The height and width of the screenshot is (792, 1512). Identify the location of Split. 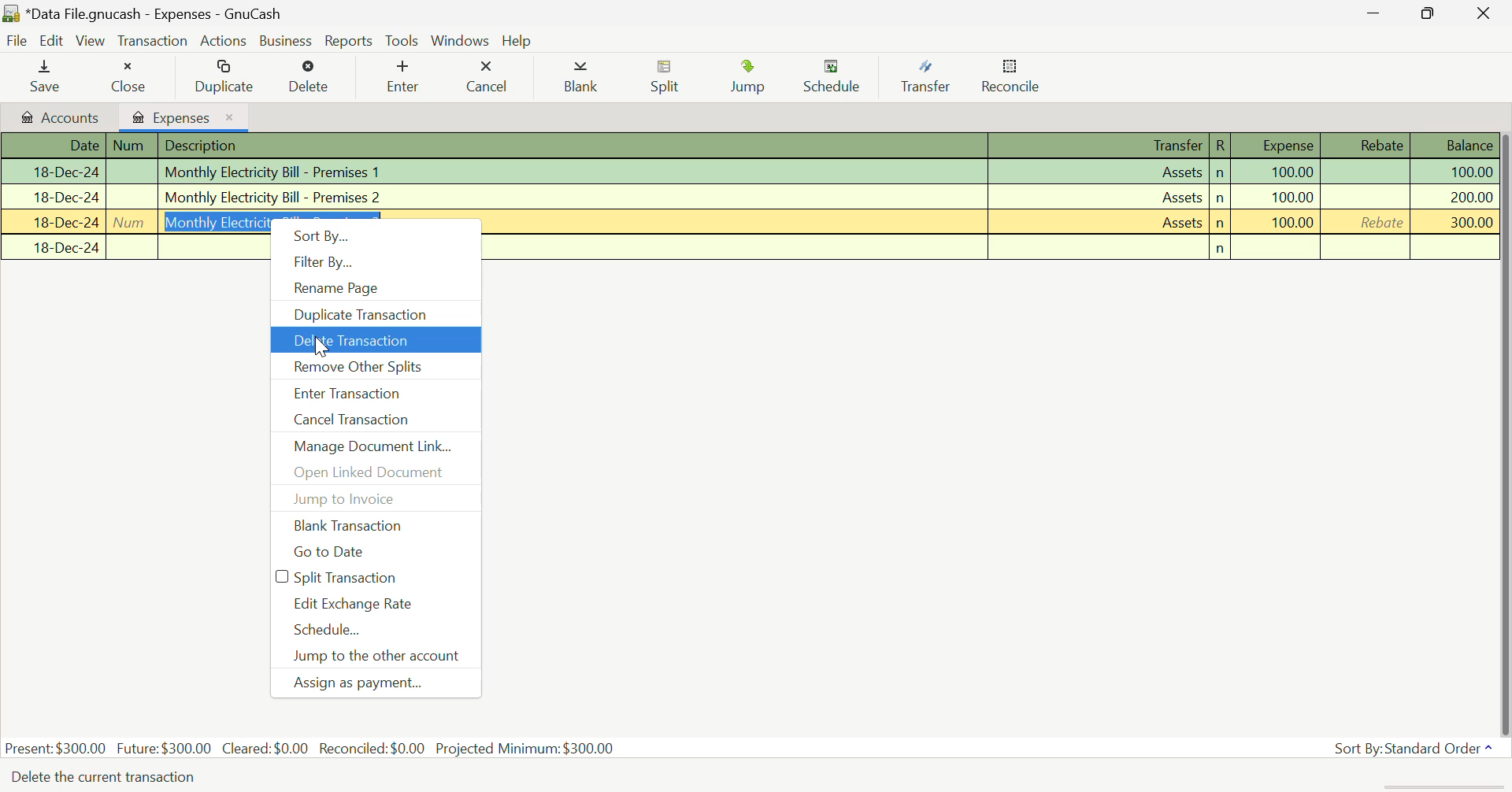
(665, 79).